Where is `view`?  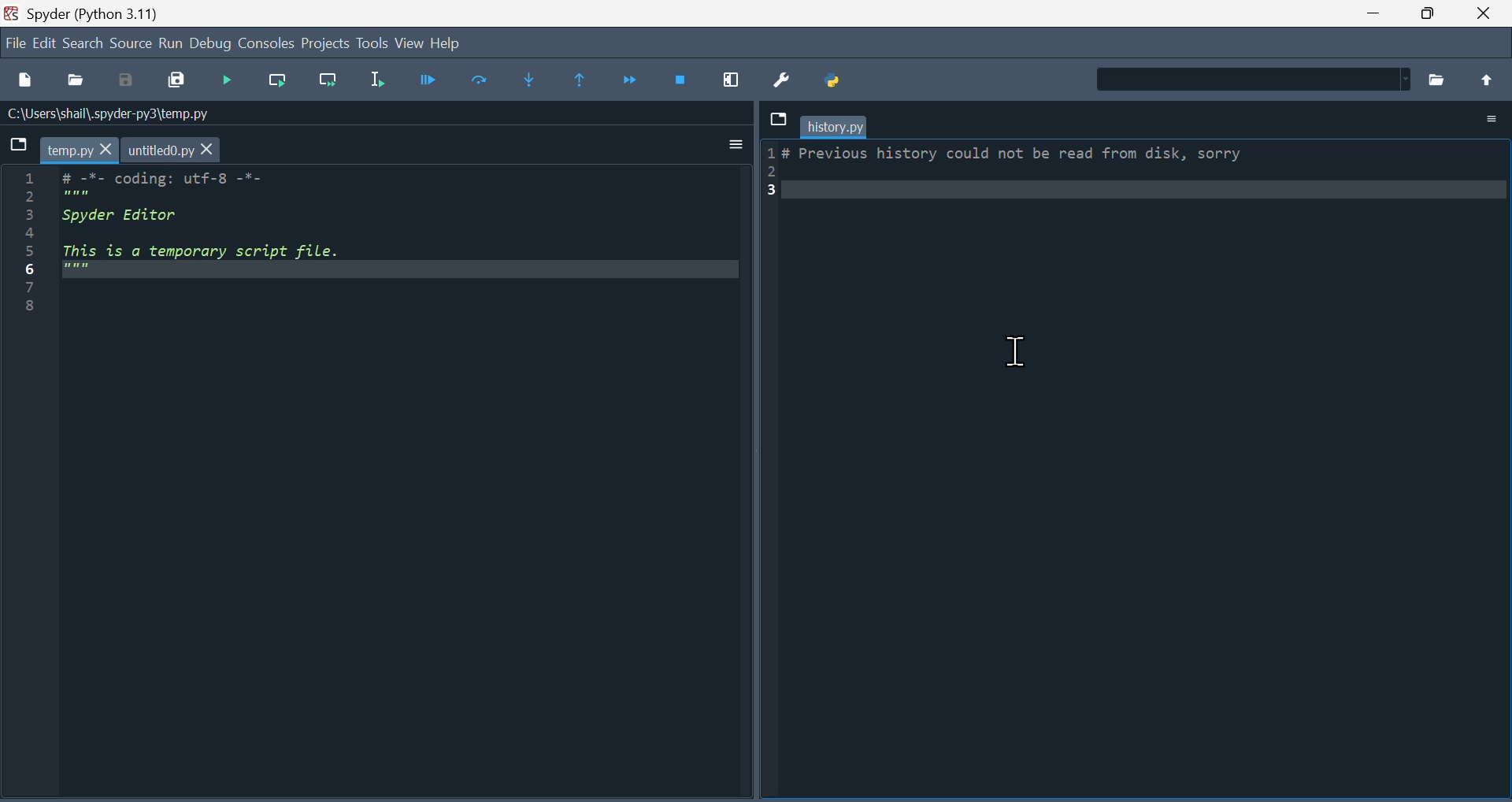
view is located at coordinates (410, 42).